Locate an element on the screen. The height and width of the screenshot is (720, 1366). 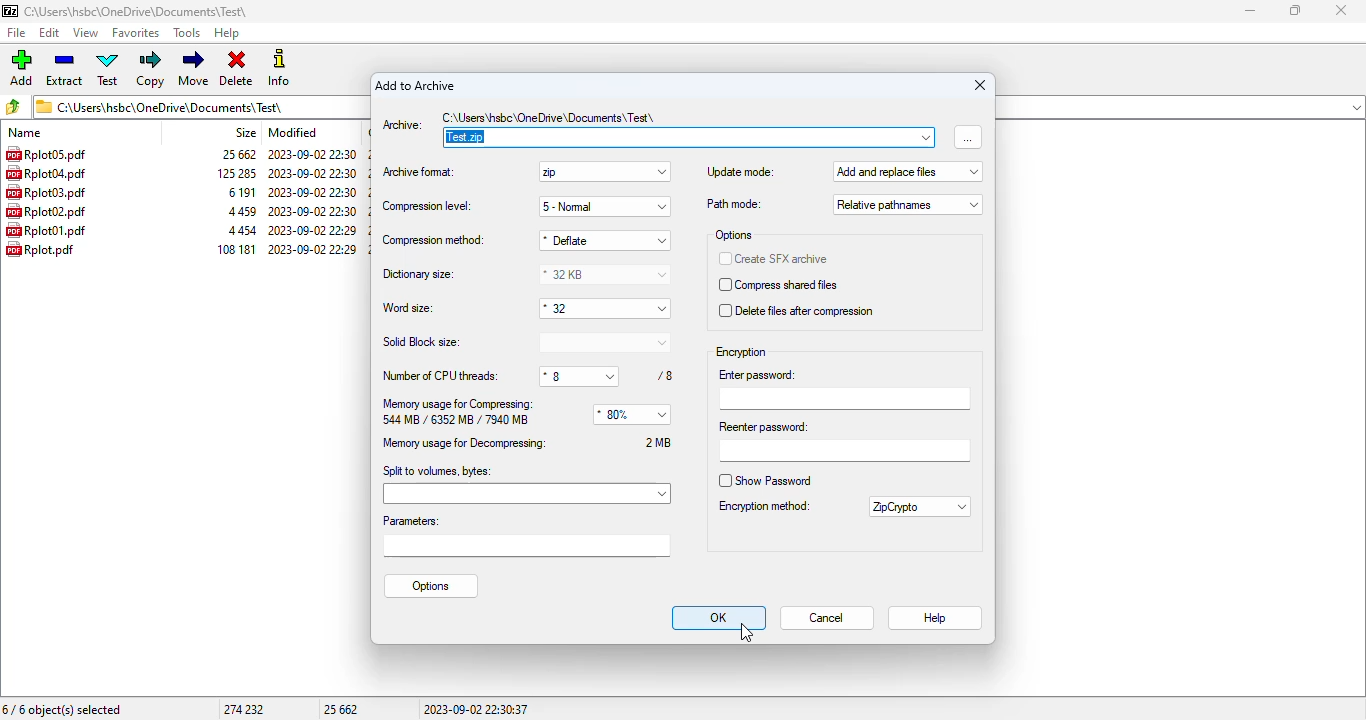
folder is located at coordinates (138, 11).